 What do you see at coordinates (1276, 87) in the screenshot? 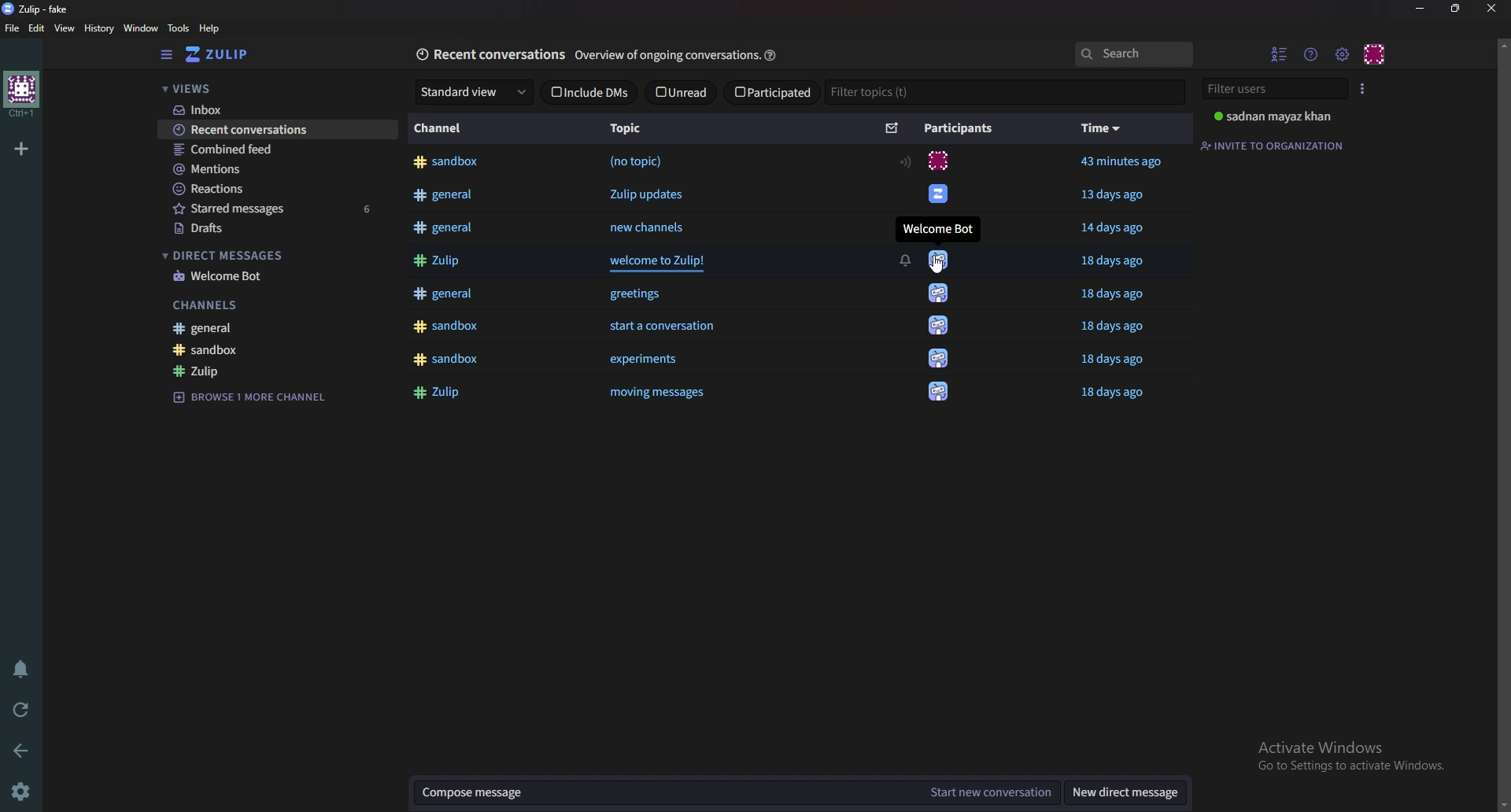
I see `Filter users` at bounding box center [1276, 87].